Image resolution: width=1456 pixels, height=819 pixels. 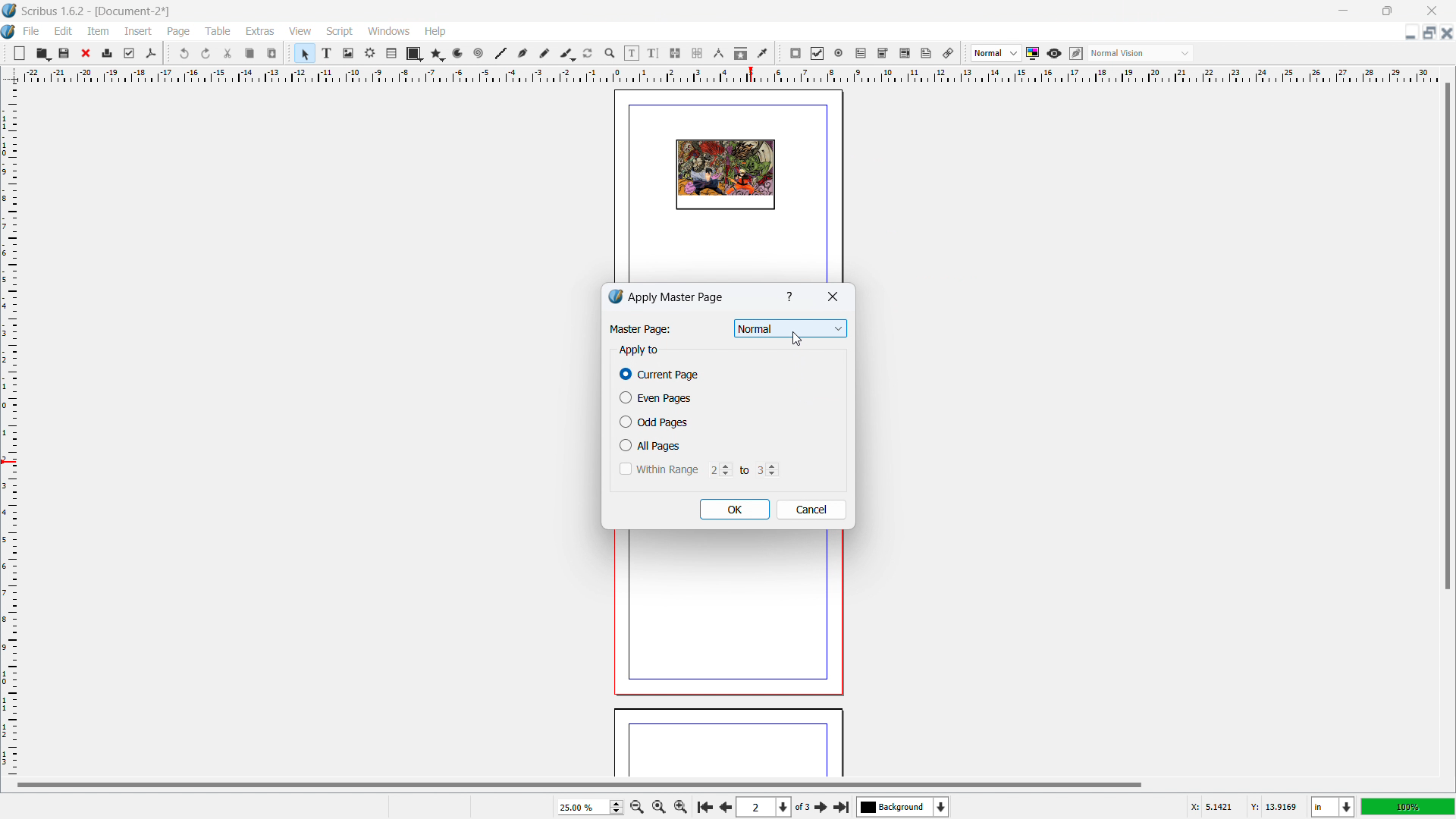 I want to click on text frame, so click(x=328, y=52).